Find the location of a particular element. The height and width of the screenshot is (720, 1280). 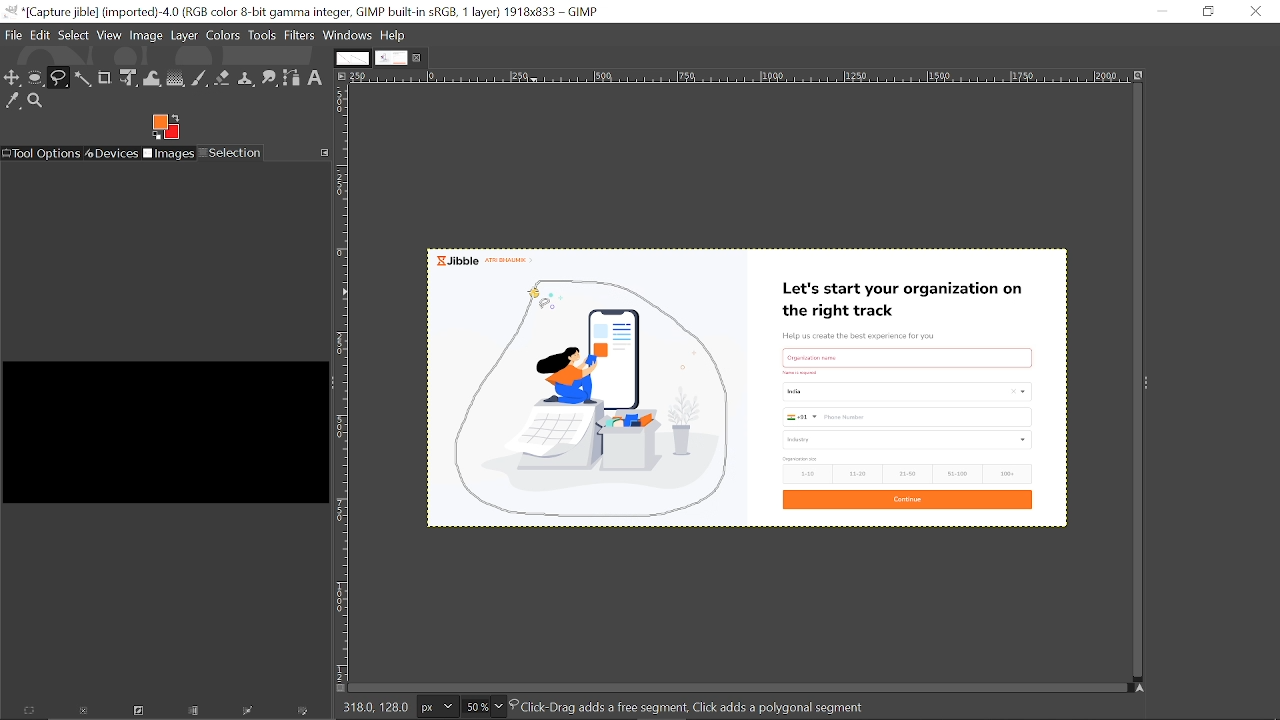

Dismiss this selection is located at coordinates (82, 713).